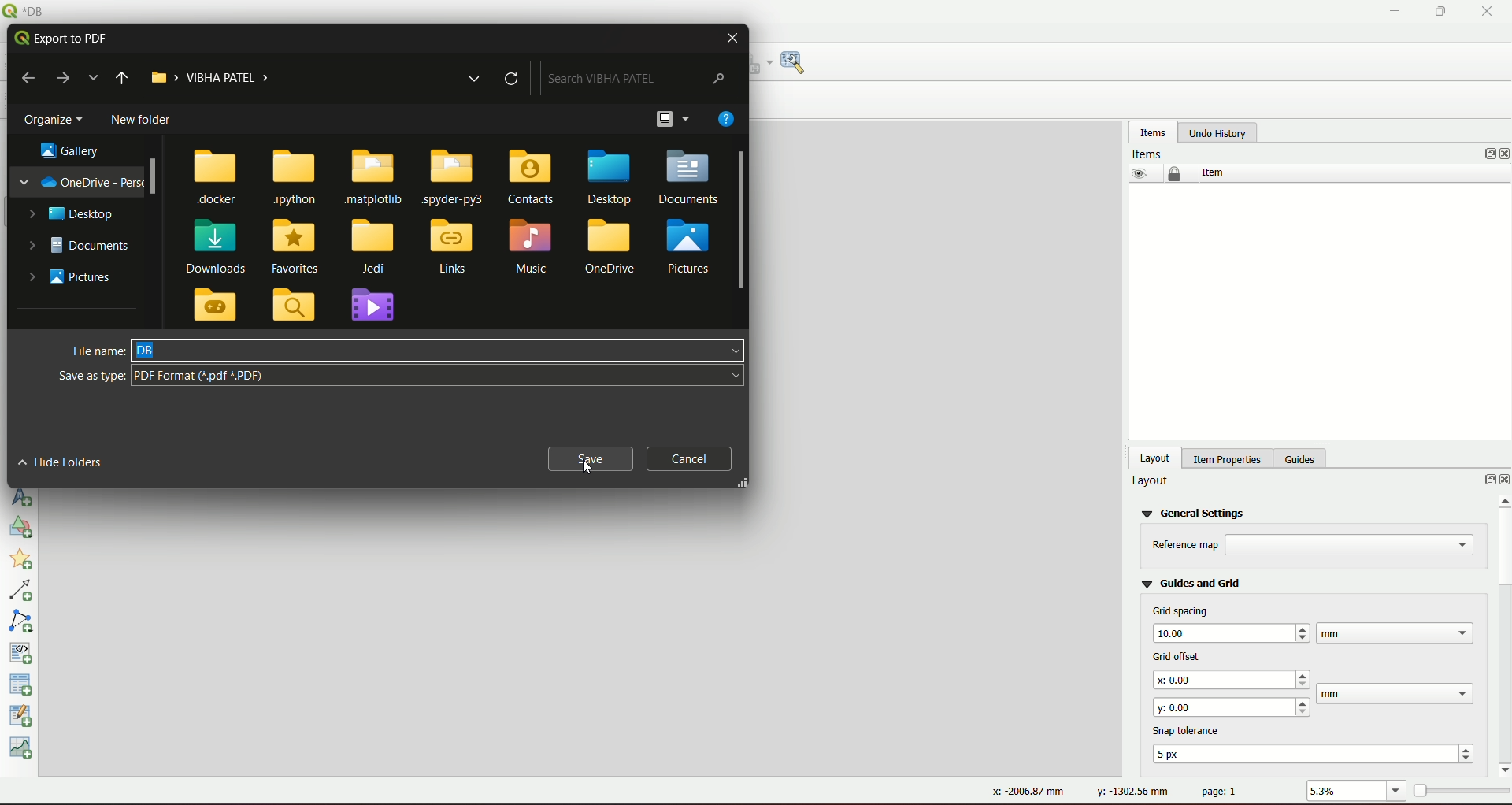 This screenshot has width=1512, height=805. What do you see at coordinates (376, 308) in the screenshot?
I see `folder` at bounding box center [376, 308].